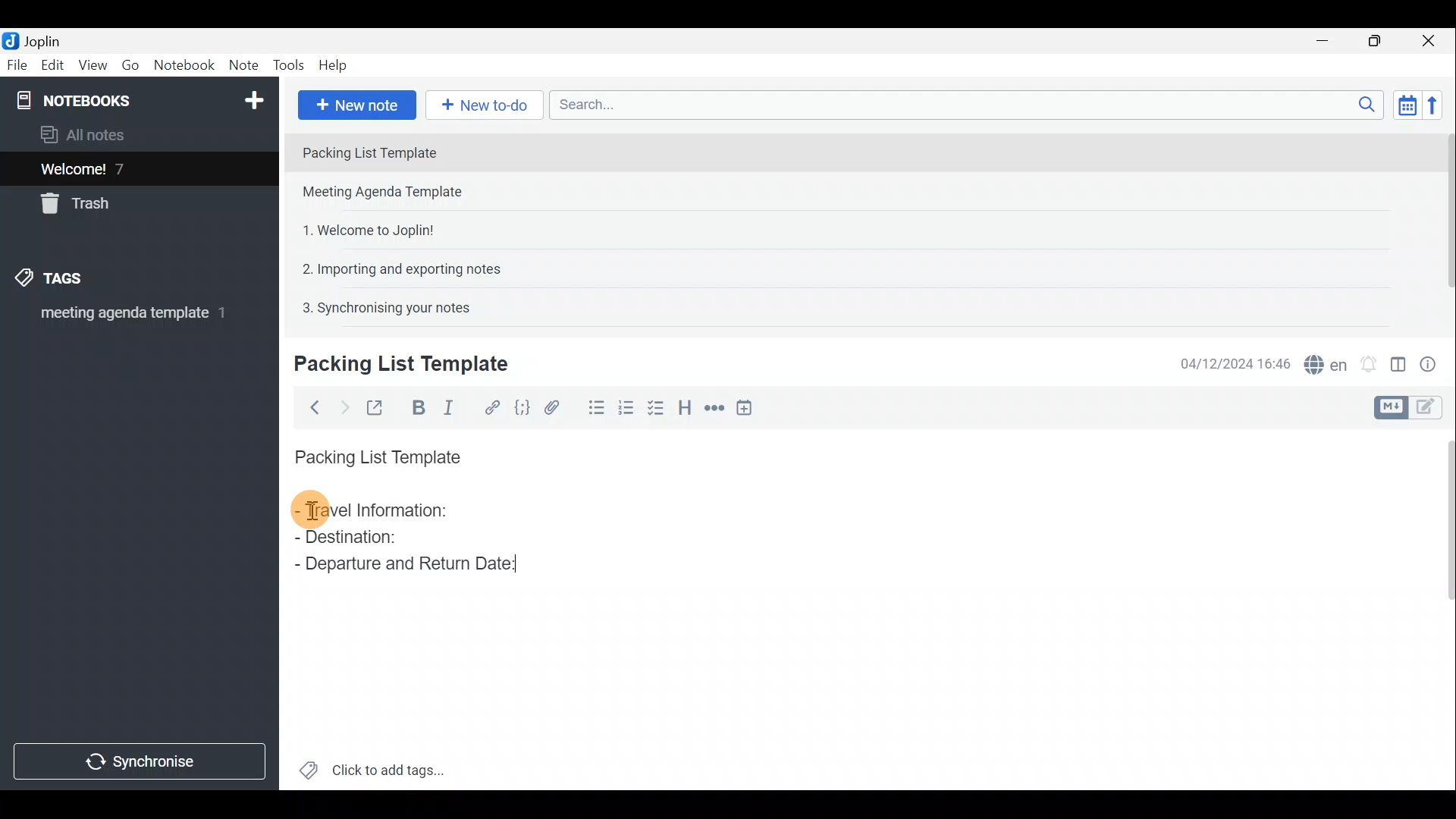  I want to click on Tags, so click(74, 281).